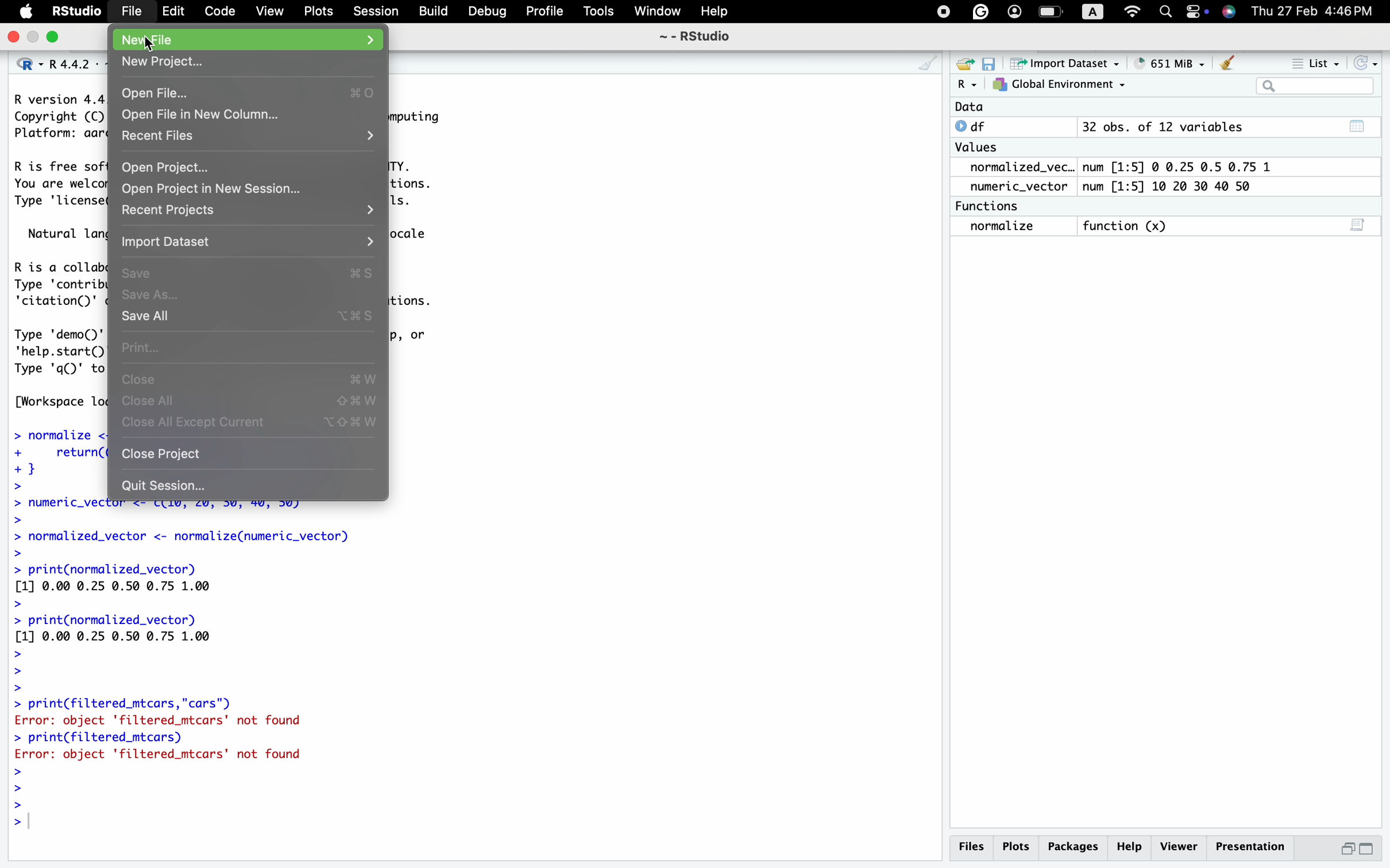  Describe the element at coordinates (655, 13) in the screenshot. I see `Window` at that location.